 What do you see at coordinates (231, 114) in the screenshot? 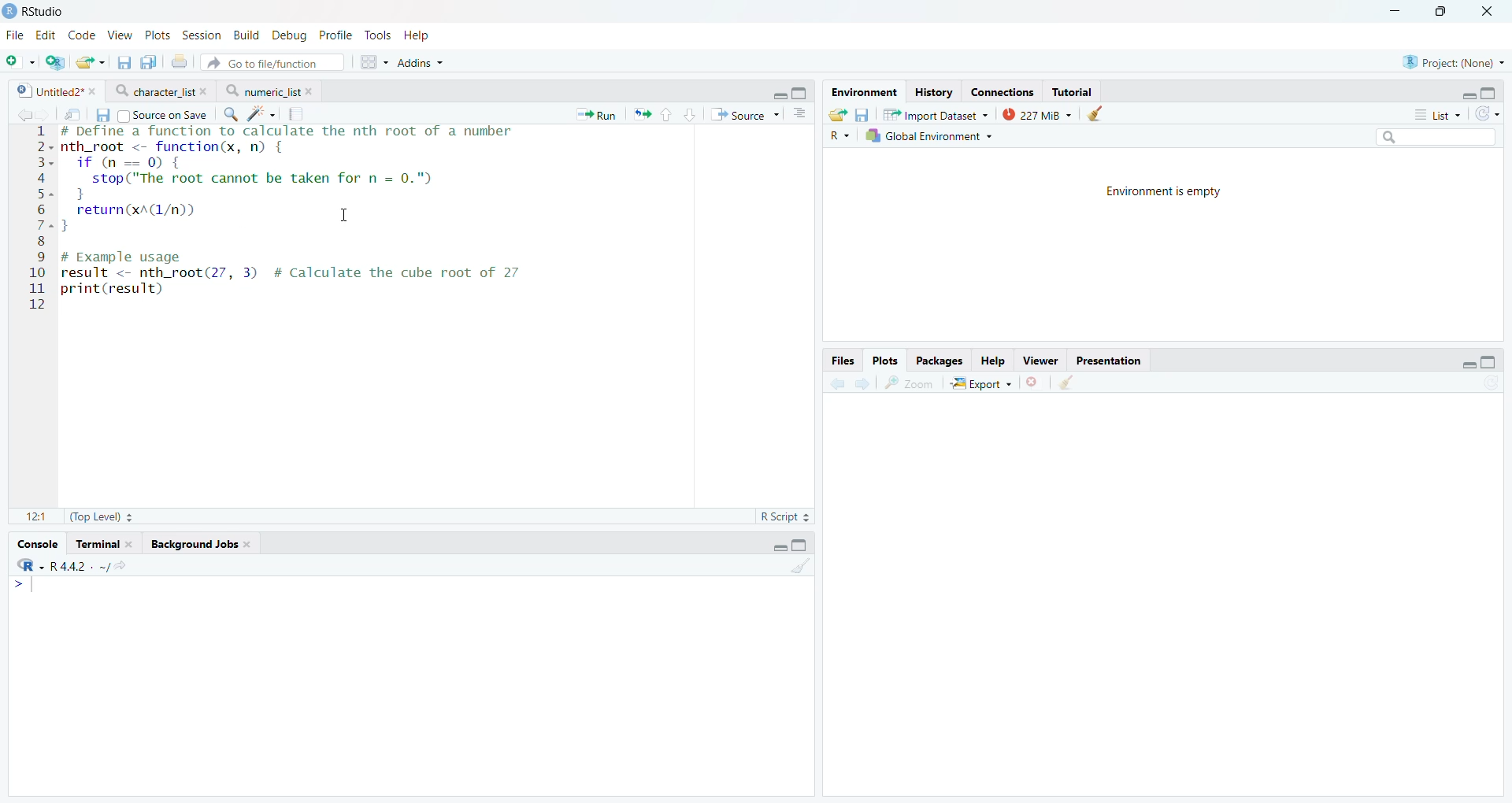
I see `Find/Replace` at bounding box center [231, 114].